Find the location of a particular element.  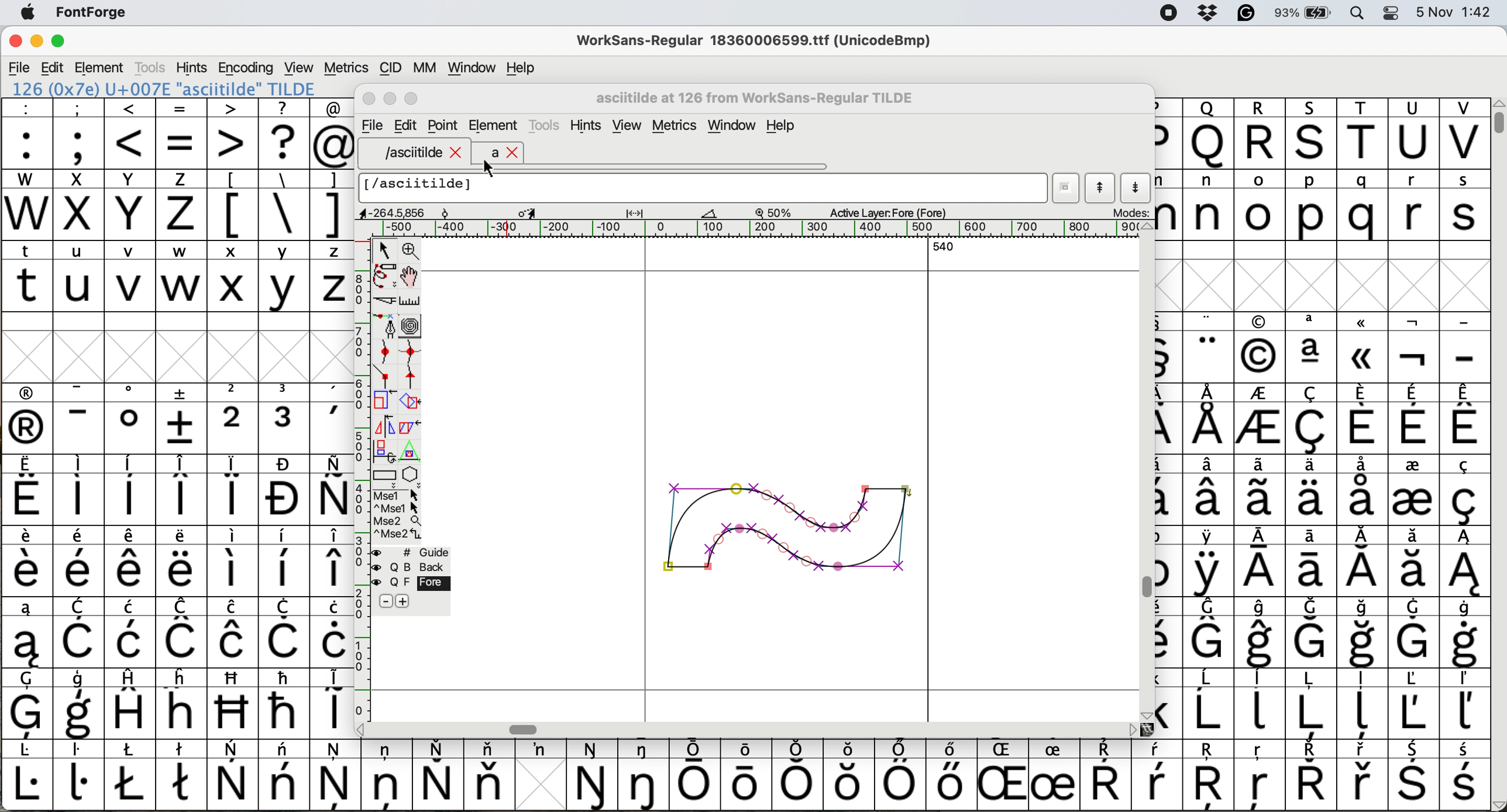

scroll button is located at coordinates (1145, 714).